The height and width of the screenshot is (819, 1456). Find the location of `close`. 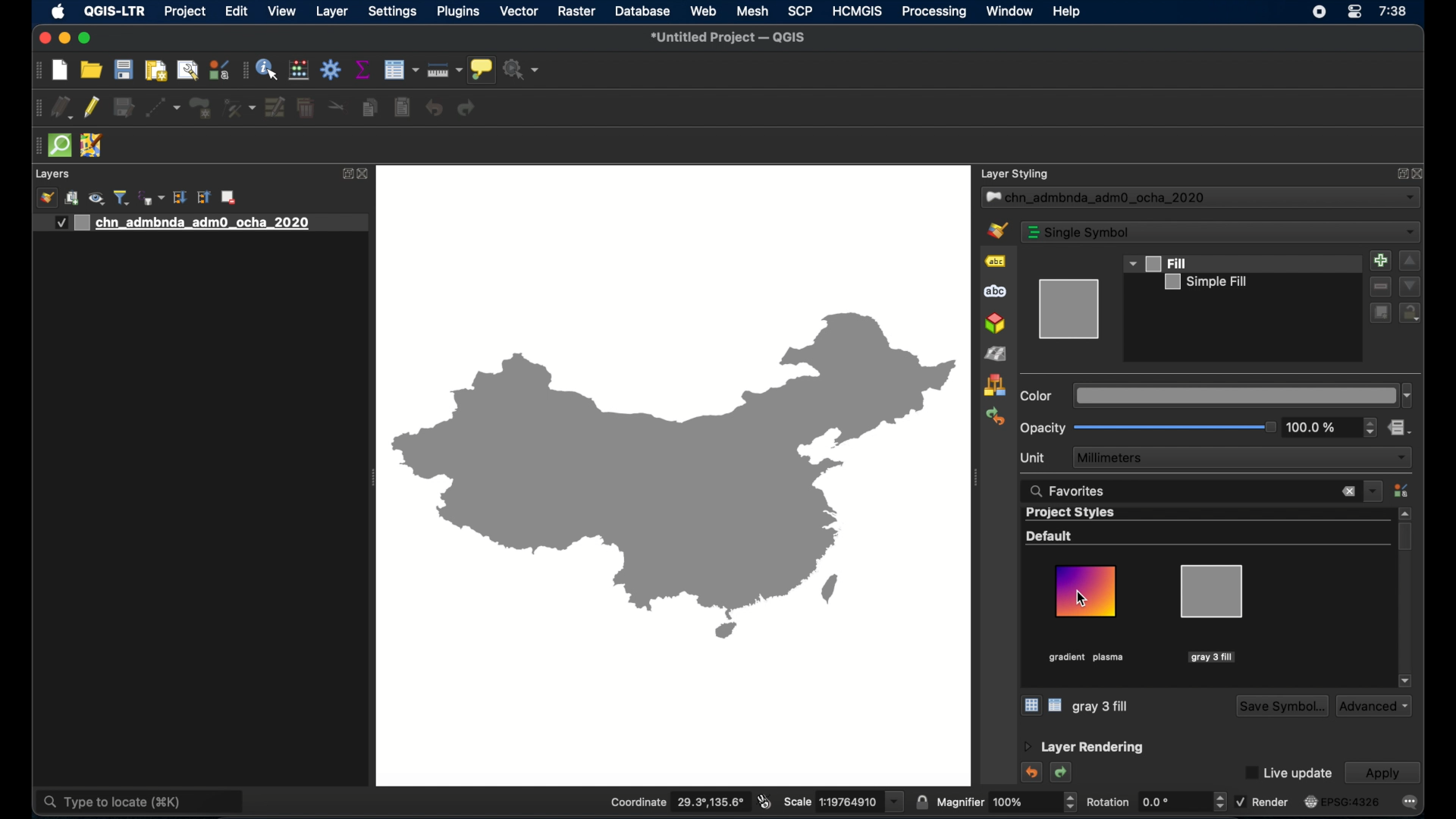

close is located at coordinates (1348, 492).